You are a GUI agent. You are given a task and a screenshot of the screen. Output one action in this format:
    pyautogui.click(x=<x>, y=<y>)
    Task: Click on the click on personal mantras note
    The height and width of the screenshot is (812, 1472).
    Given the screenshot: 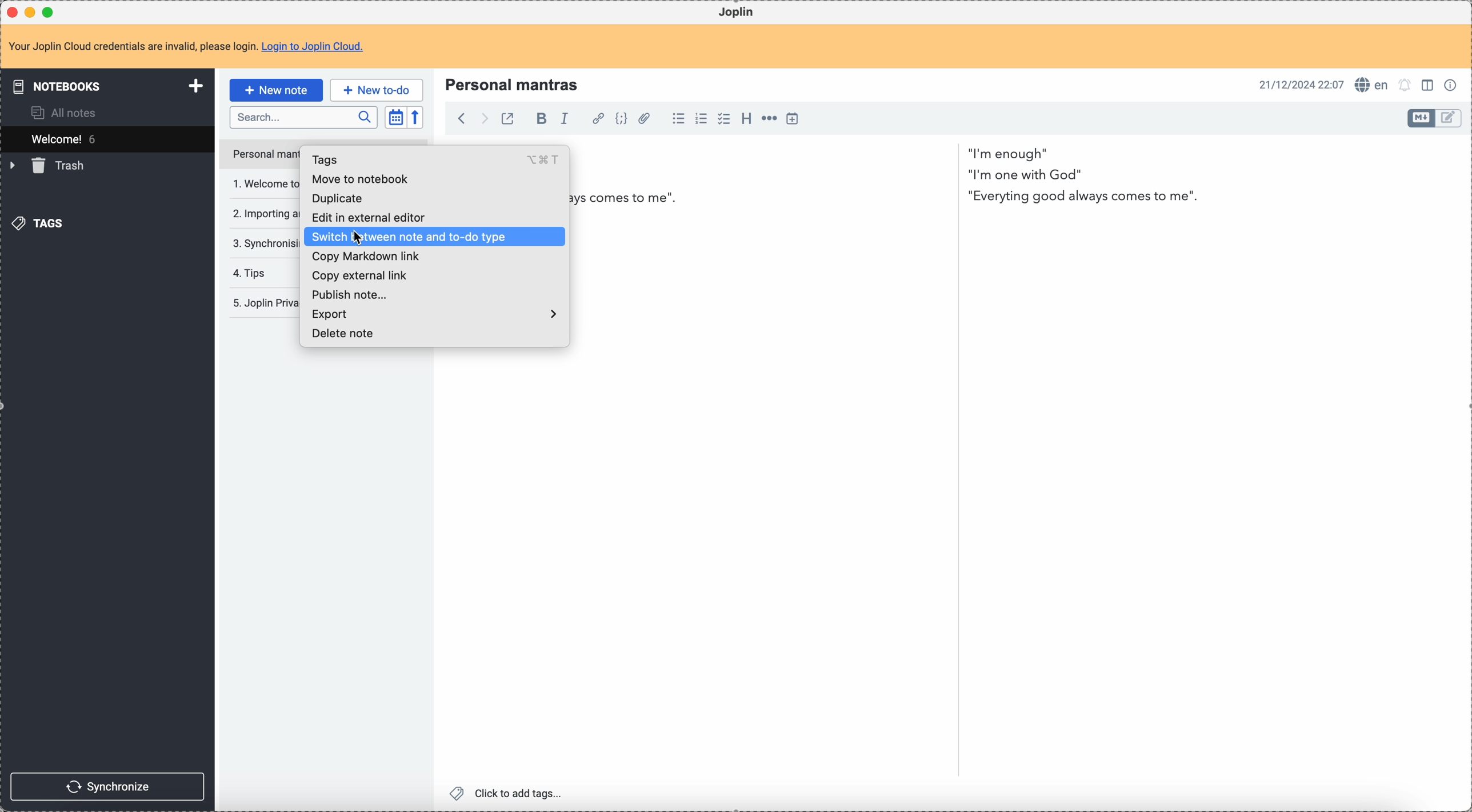 What is the action you would take?
    pyautogui.click(x=258, y=154)
    